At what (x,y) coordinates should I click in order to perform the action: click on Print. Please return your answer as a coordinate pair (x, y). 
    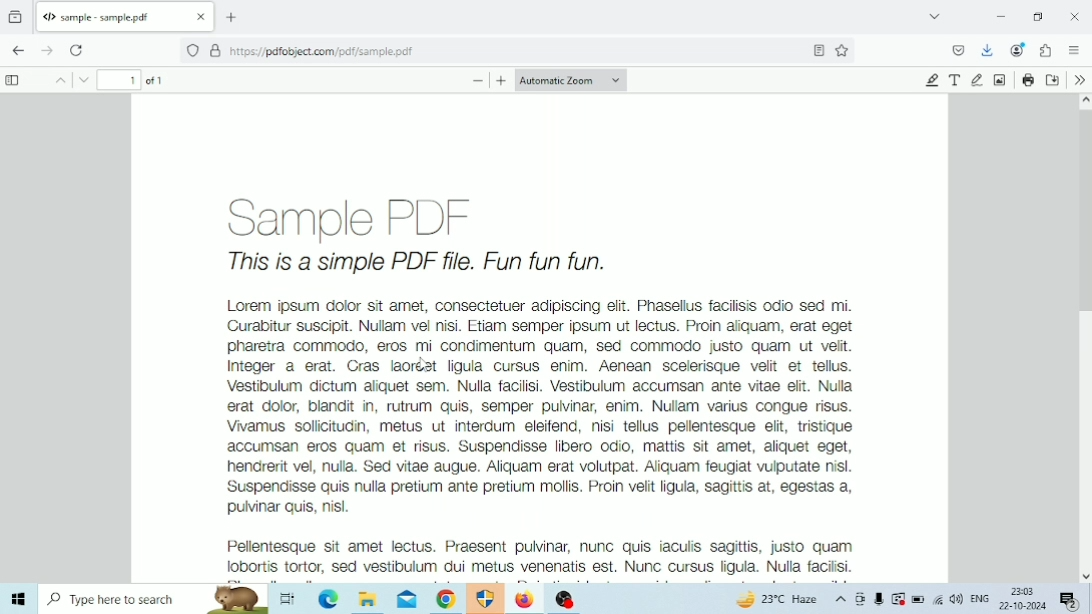
    Looking at the image, I should click on (1029, 80).